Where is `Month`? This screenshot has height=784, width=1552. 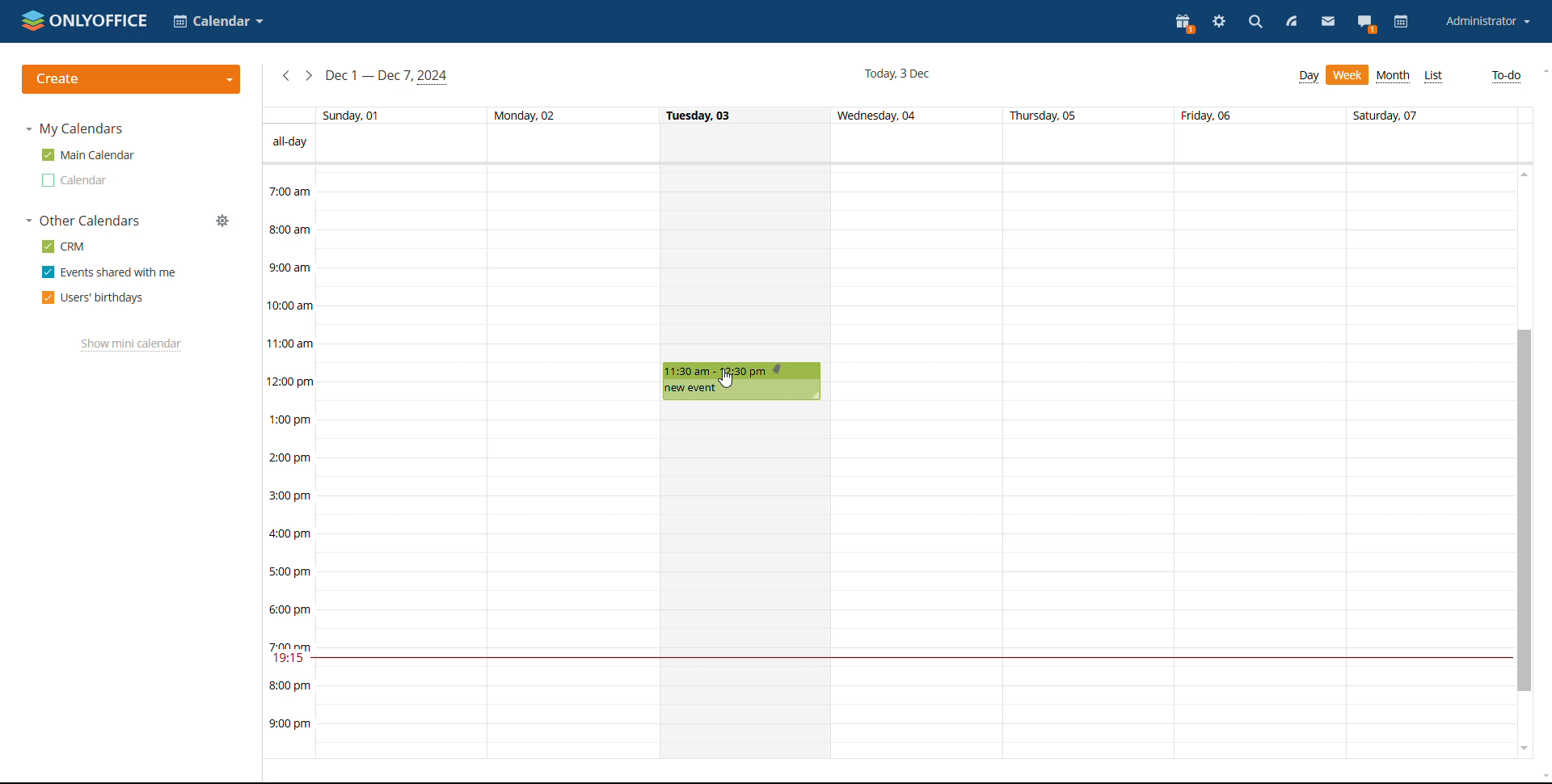 Month is located at coordinates (1394, 76).